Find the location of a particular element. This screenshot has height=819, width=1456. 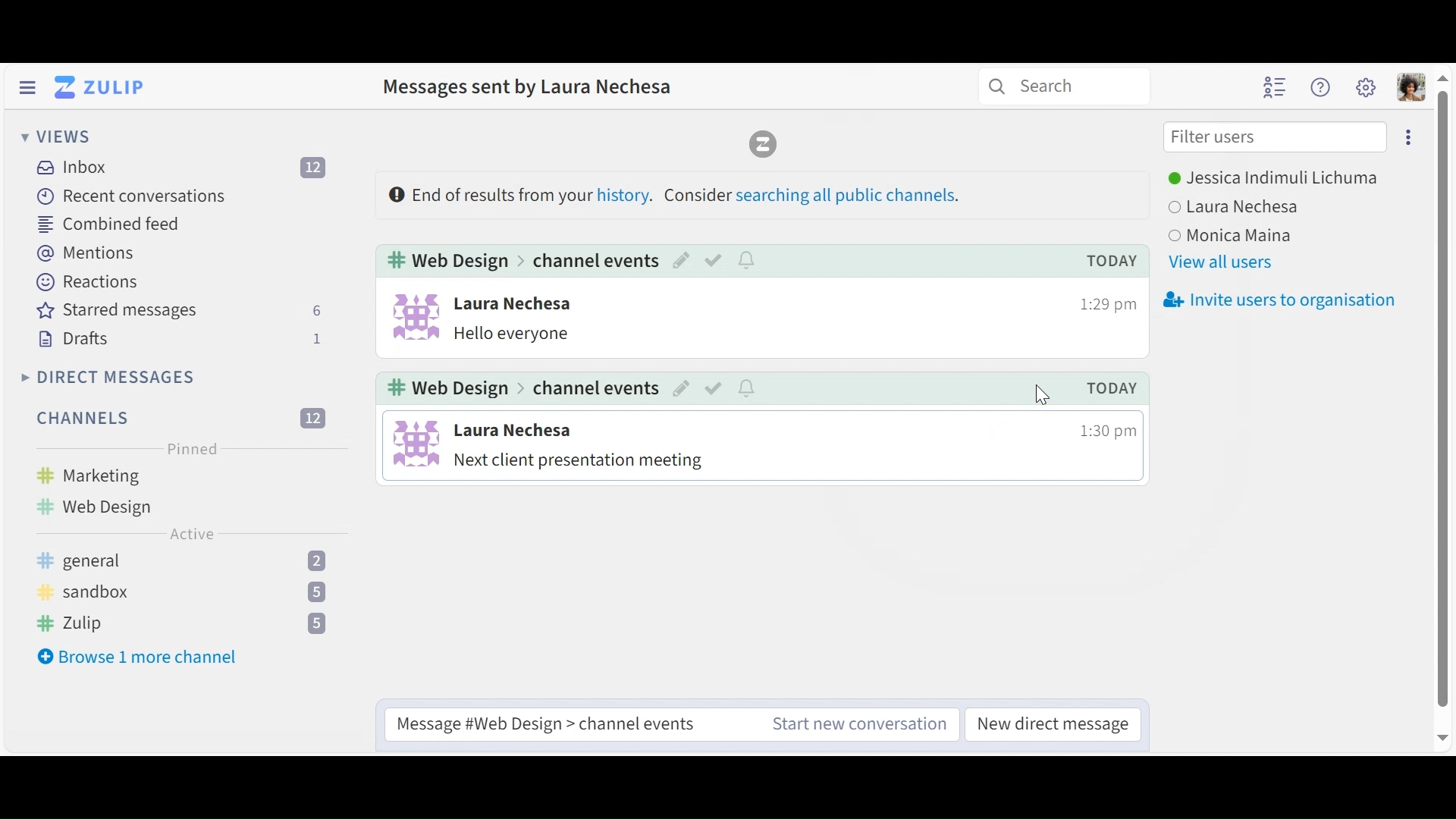

Filter users is located at coordinates (1273, 138).